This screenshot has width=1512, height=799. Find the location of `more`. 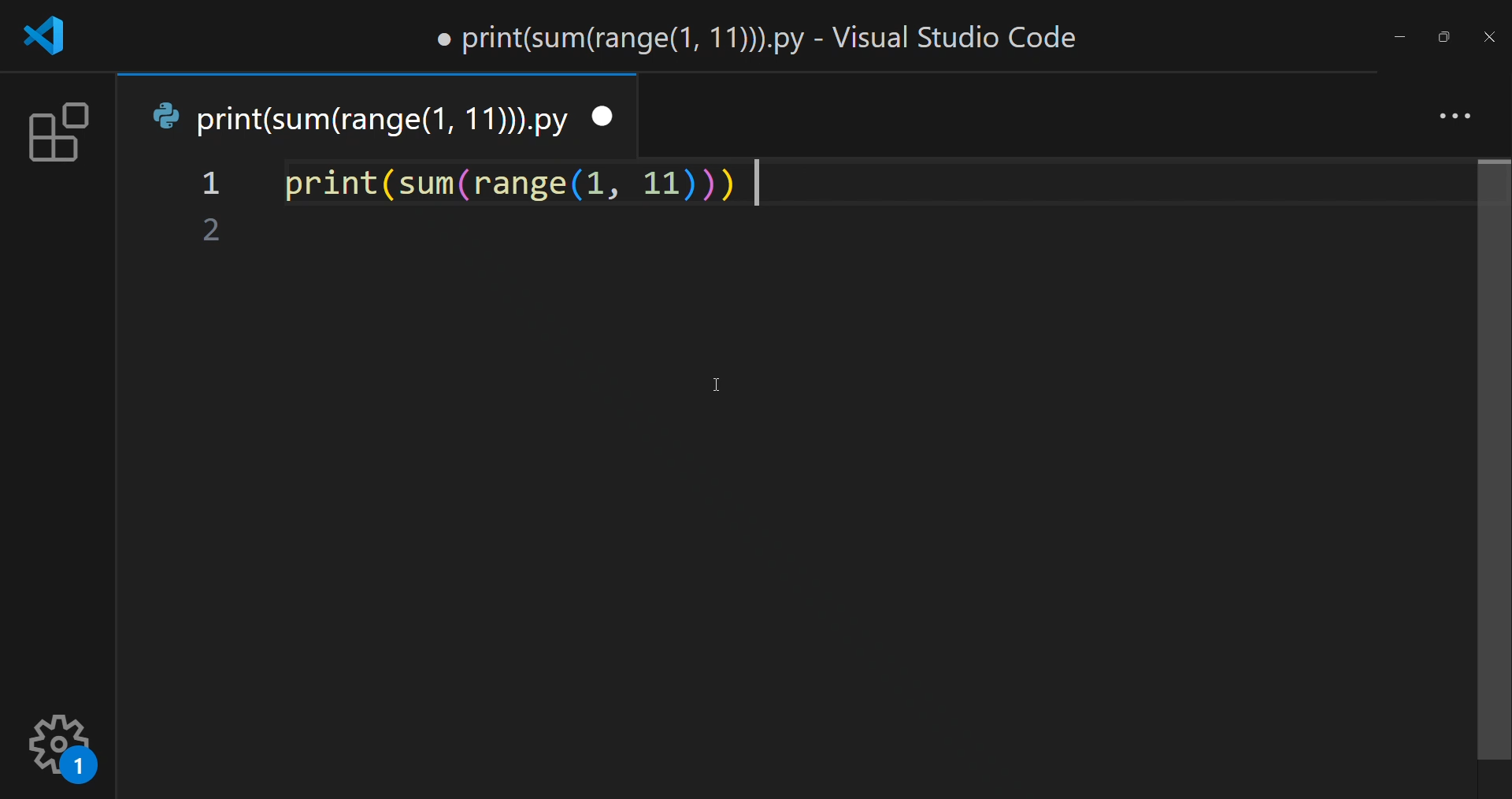

more is located at coordinates (1450, 113).